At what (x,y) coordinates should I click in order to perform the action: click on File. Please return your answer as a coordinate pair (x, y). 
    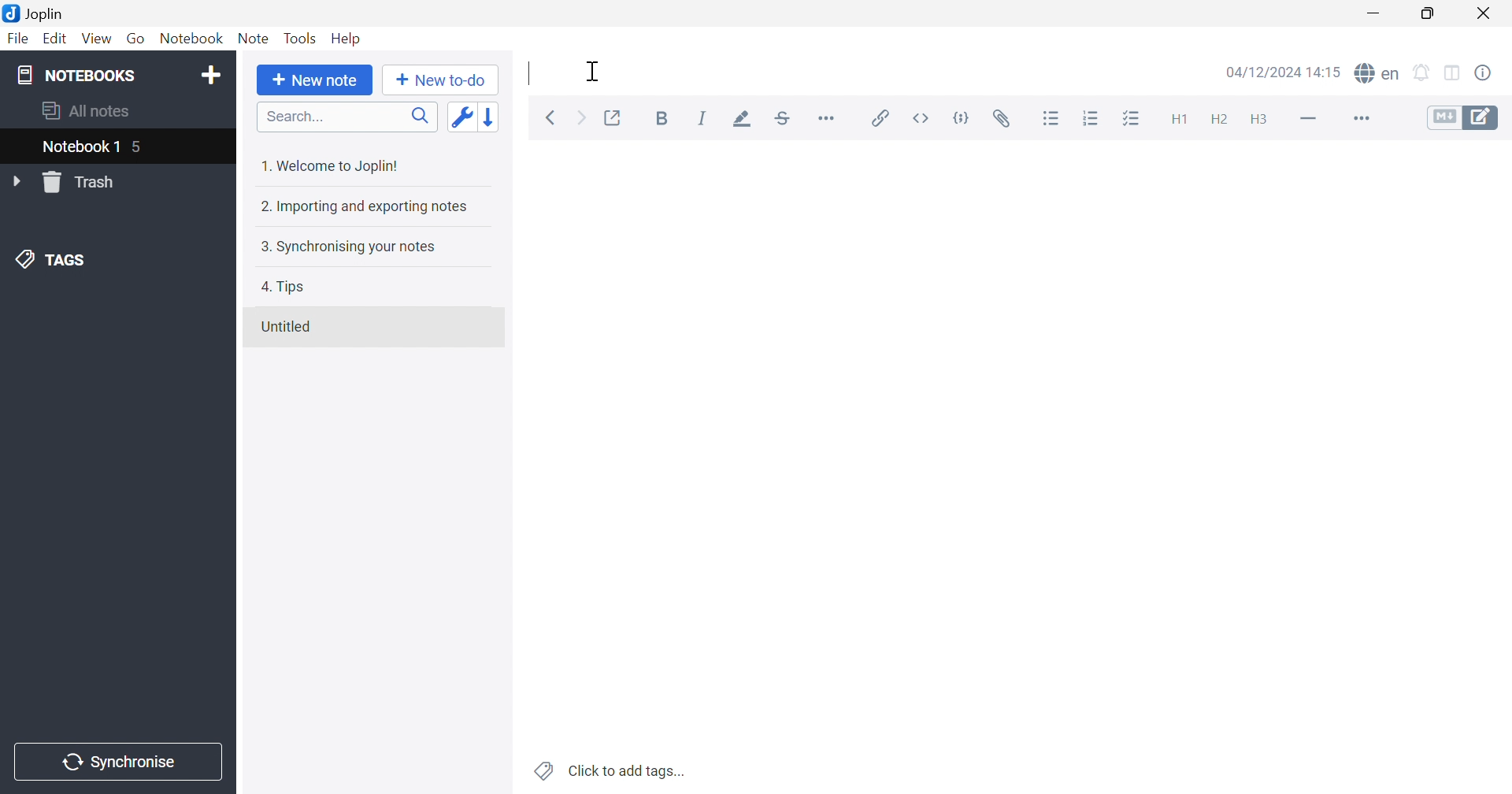
    Looking at the image, I should click on (19, 39).